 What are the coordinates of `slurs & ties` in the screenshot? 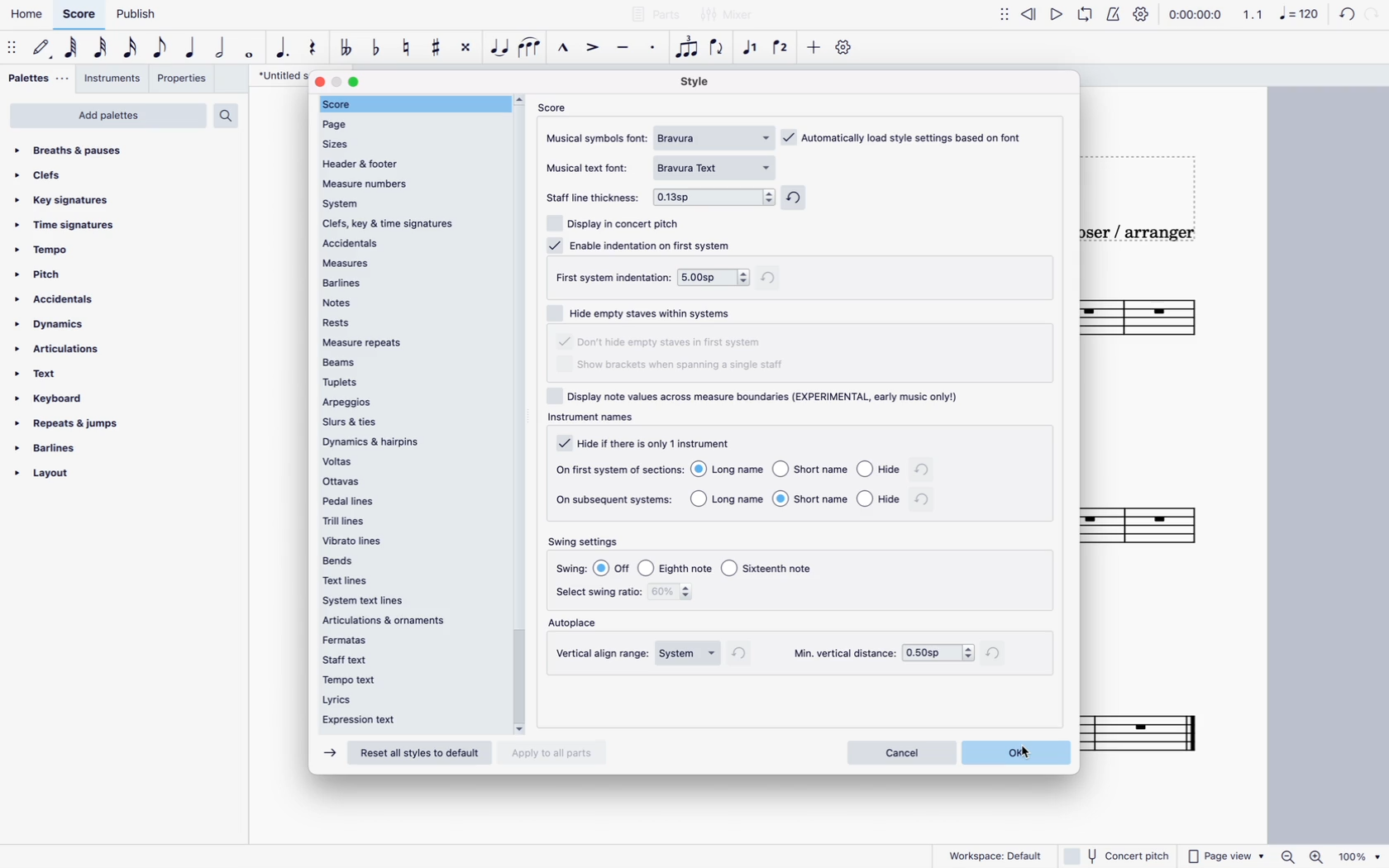 It's located at (411, 421).